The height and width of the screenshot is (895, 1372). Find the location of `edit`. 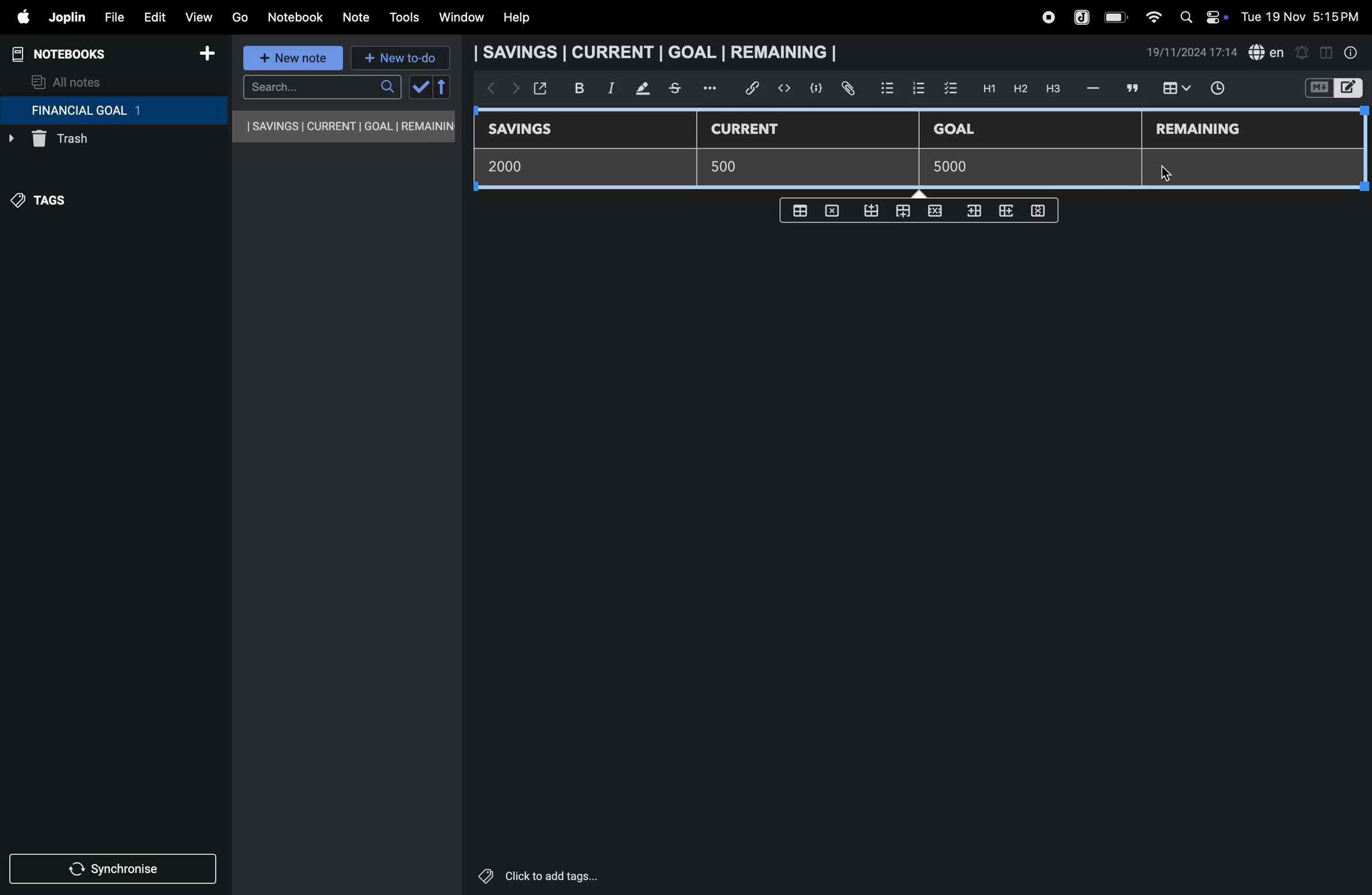

edit is located at coordinates (149, 14).